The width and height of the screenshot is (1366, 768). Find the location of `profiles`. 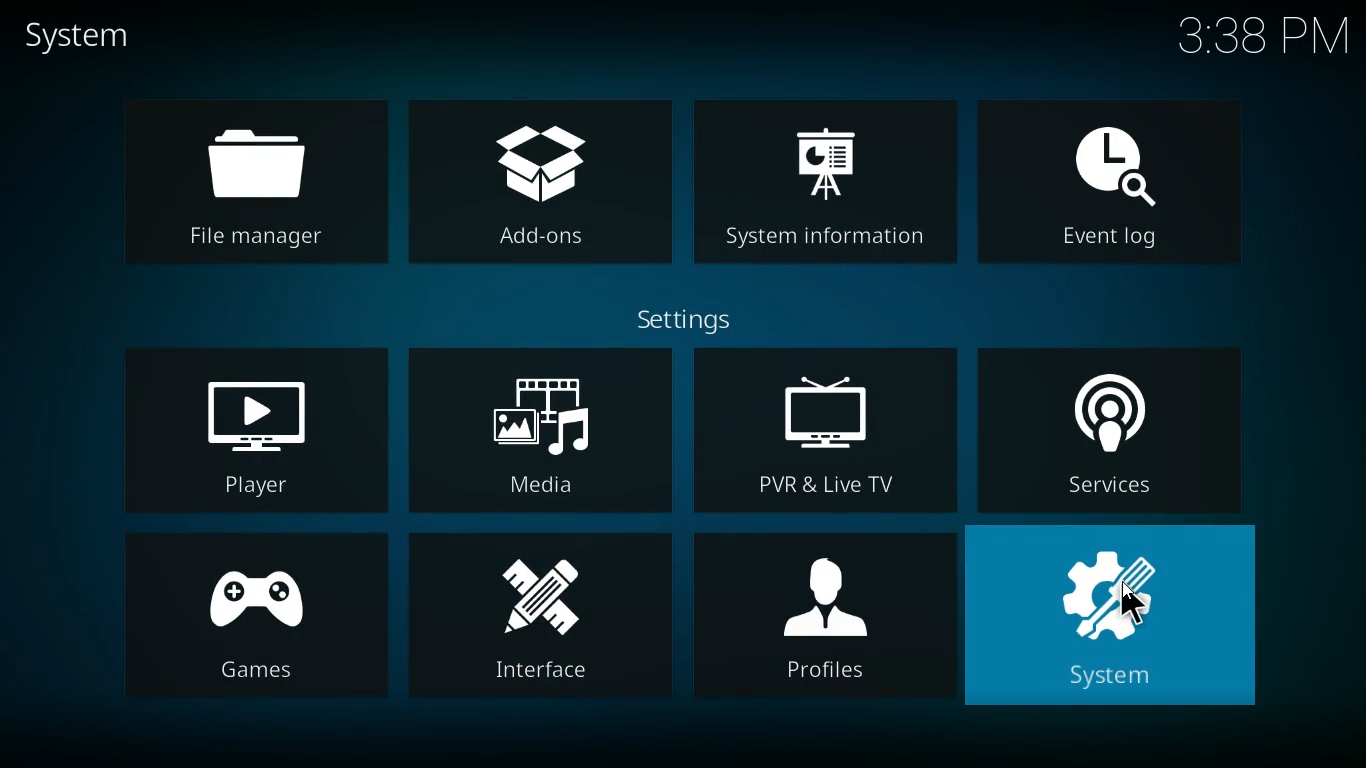

profiles is located at coordinates (823, 625).